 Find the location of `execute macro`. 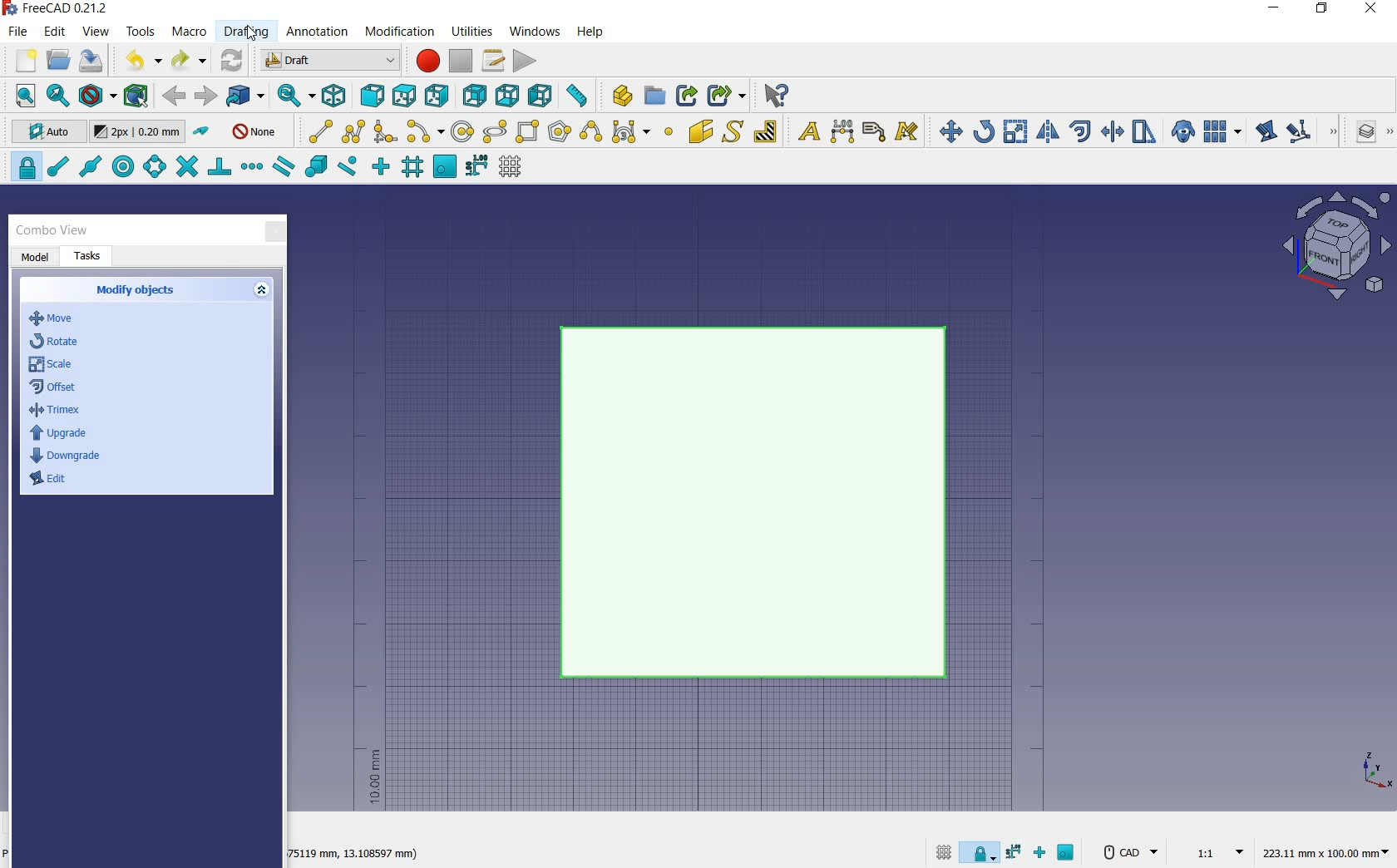

execute macro is located at coordinates (526, 61).